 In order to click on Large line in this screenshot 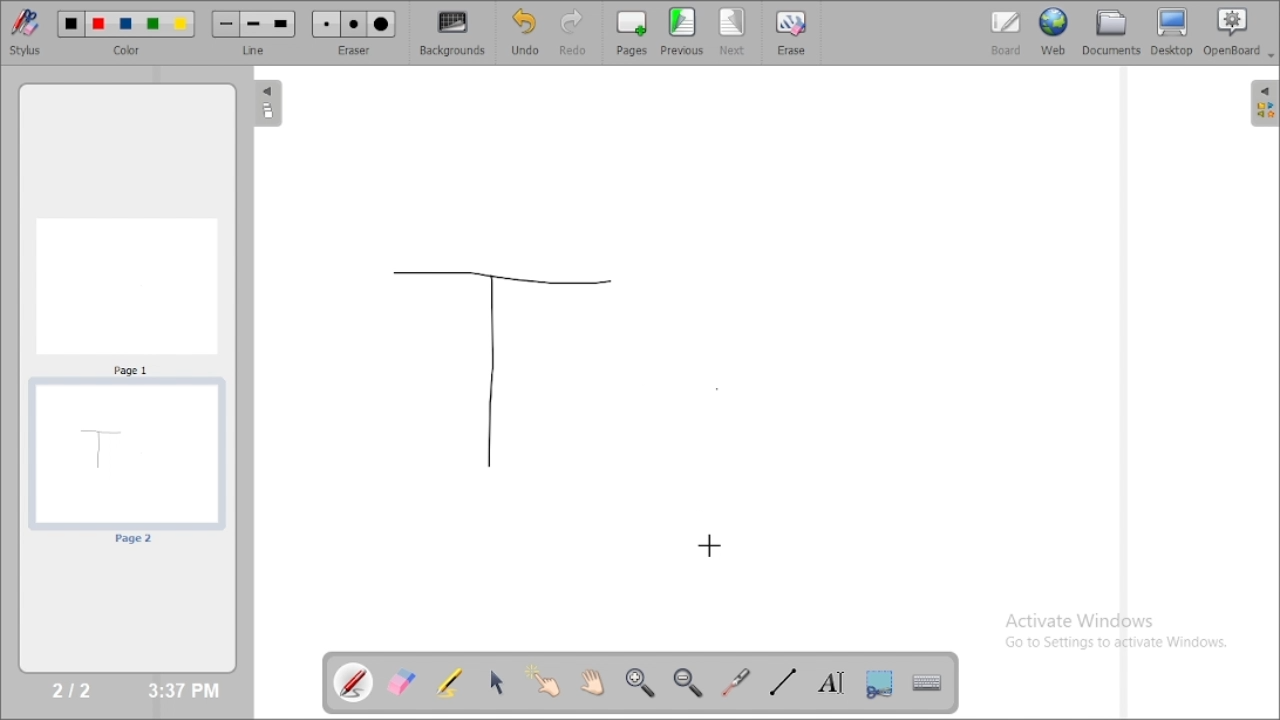, I will do `click(282, 25)`.